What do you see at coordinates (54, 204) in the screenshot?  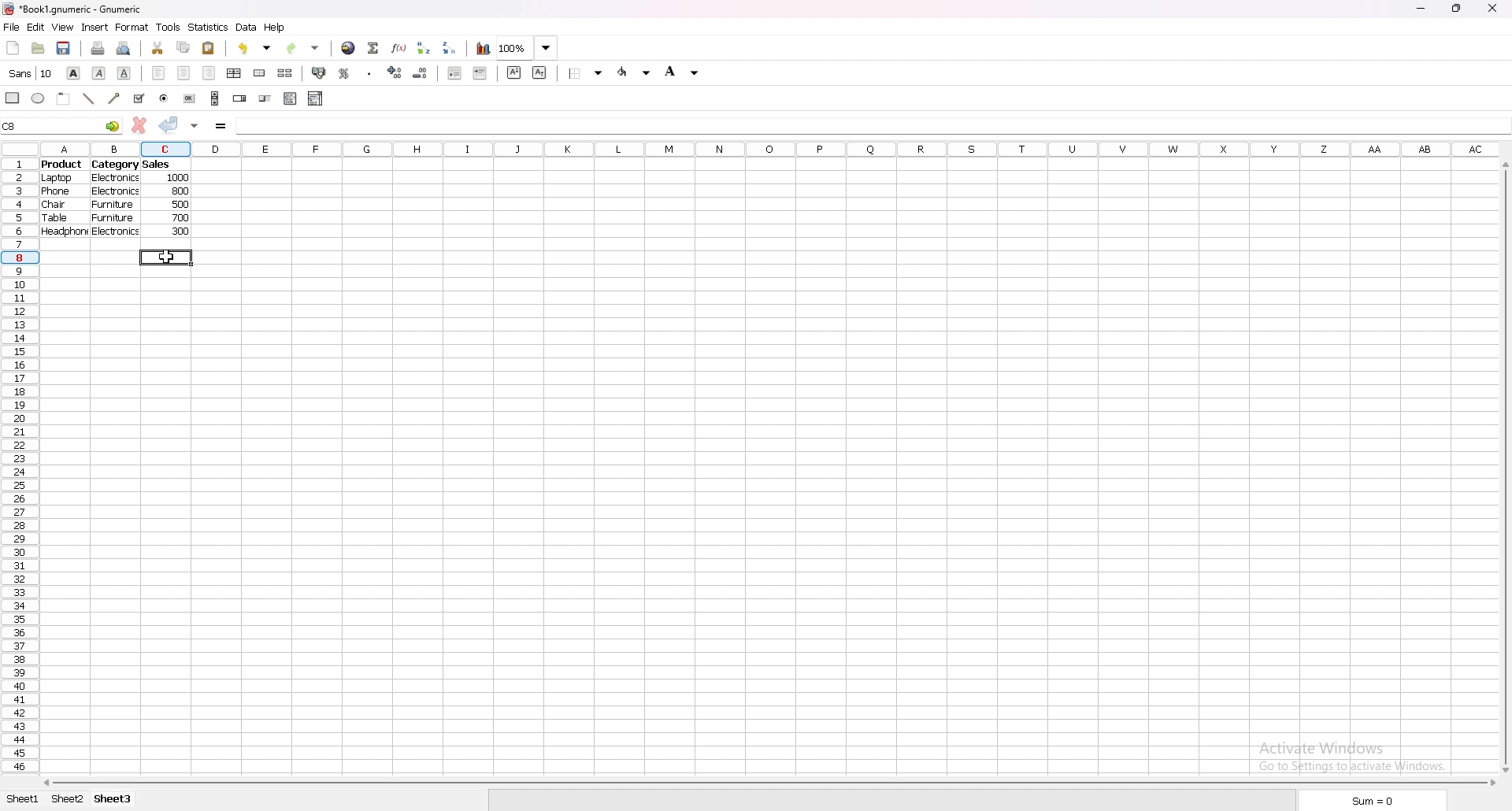 I see `chair` at bounding box center [54, 204].